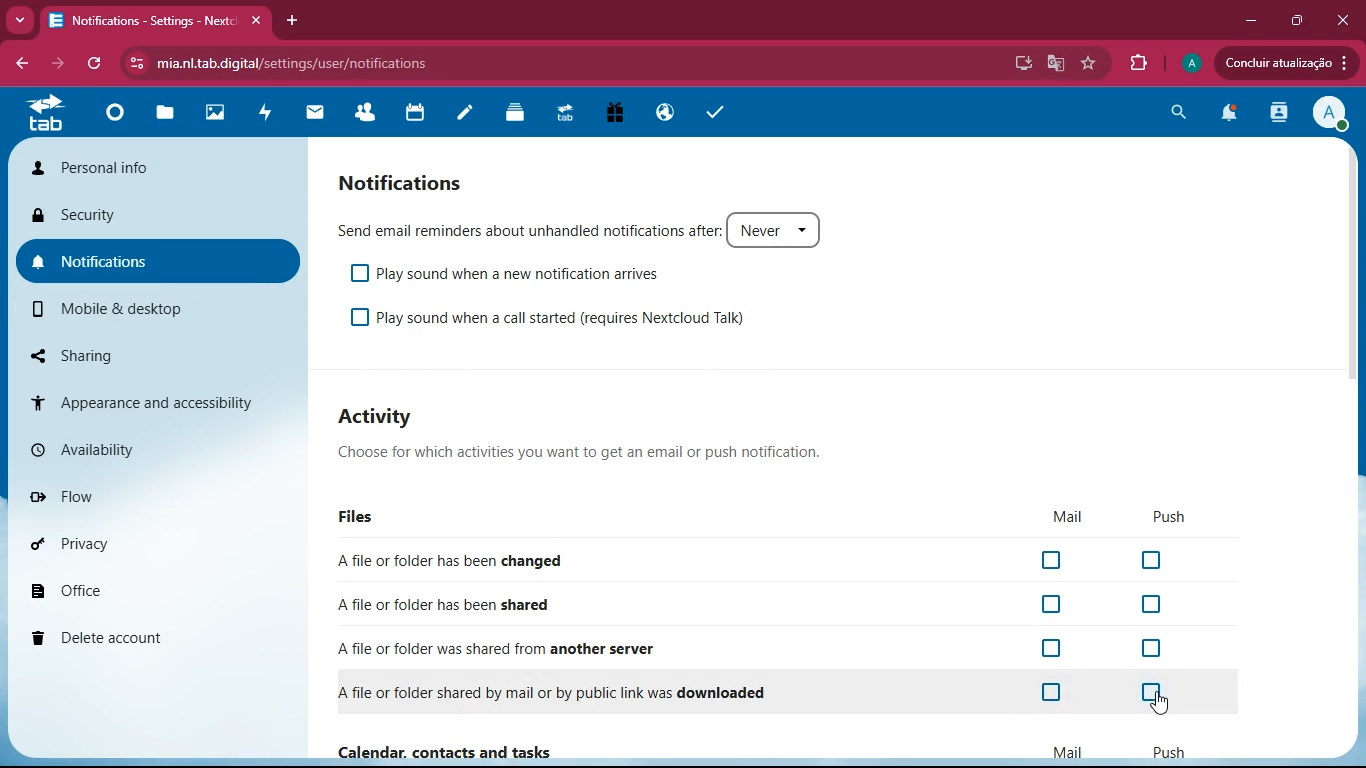  I want to click on more, so click(22, 20).